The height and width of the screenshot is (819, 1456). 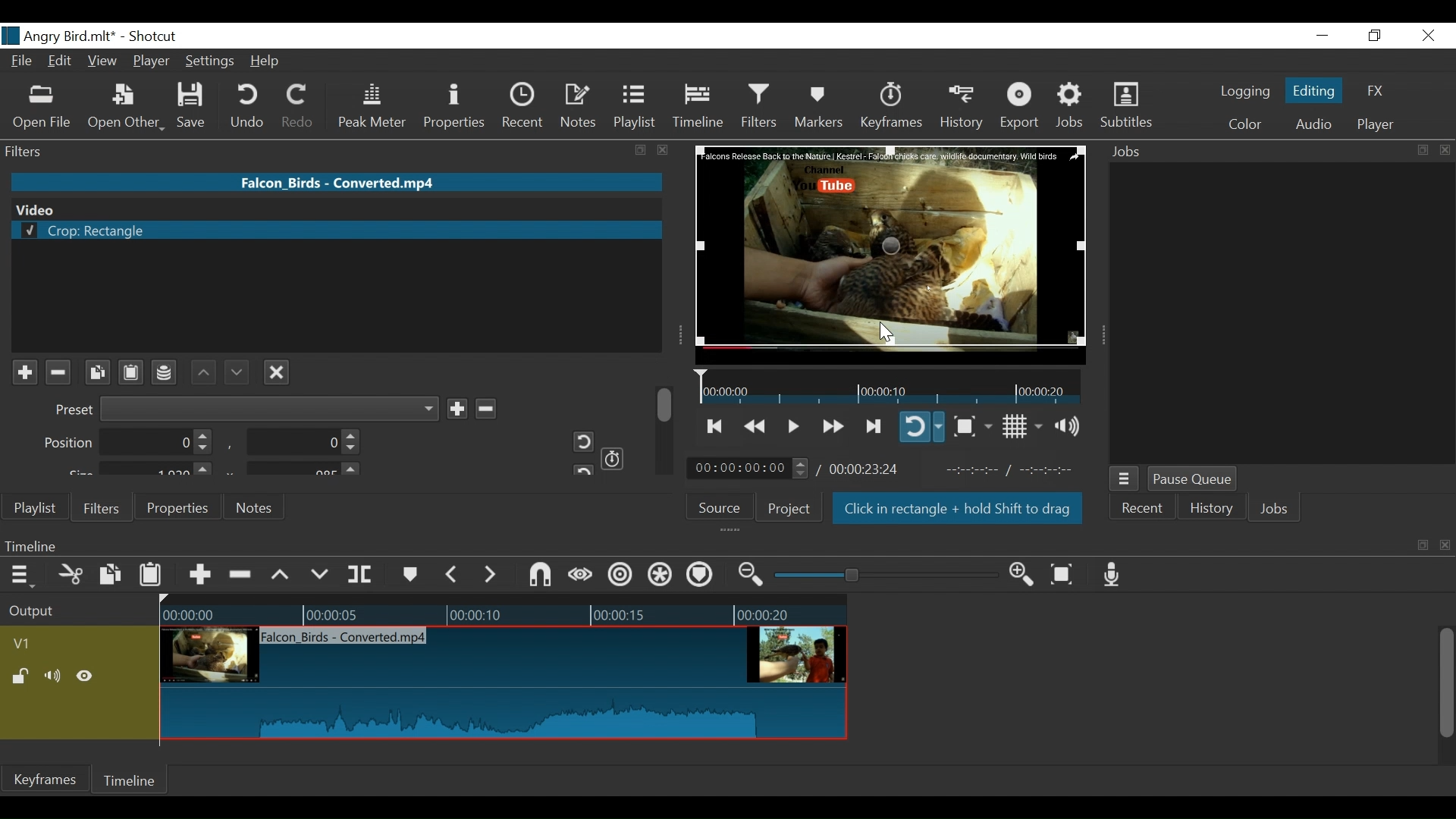 What do you see at coordinates (890, 386) in the screenshot?
I see `Timeline` at bounding box center [890, 386].